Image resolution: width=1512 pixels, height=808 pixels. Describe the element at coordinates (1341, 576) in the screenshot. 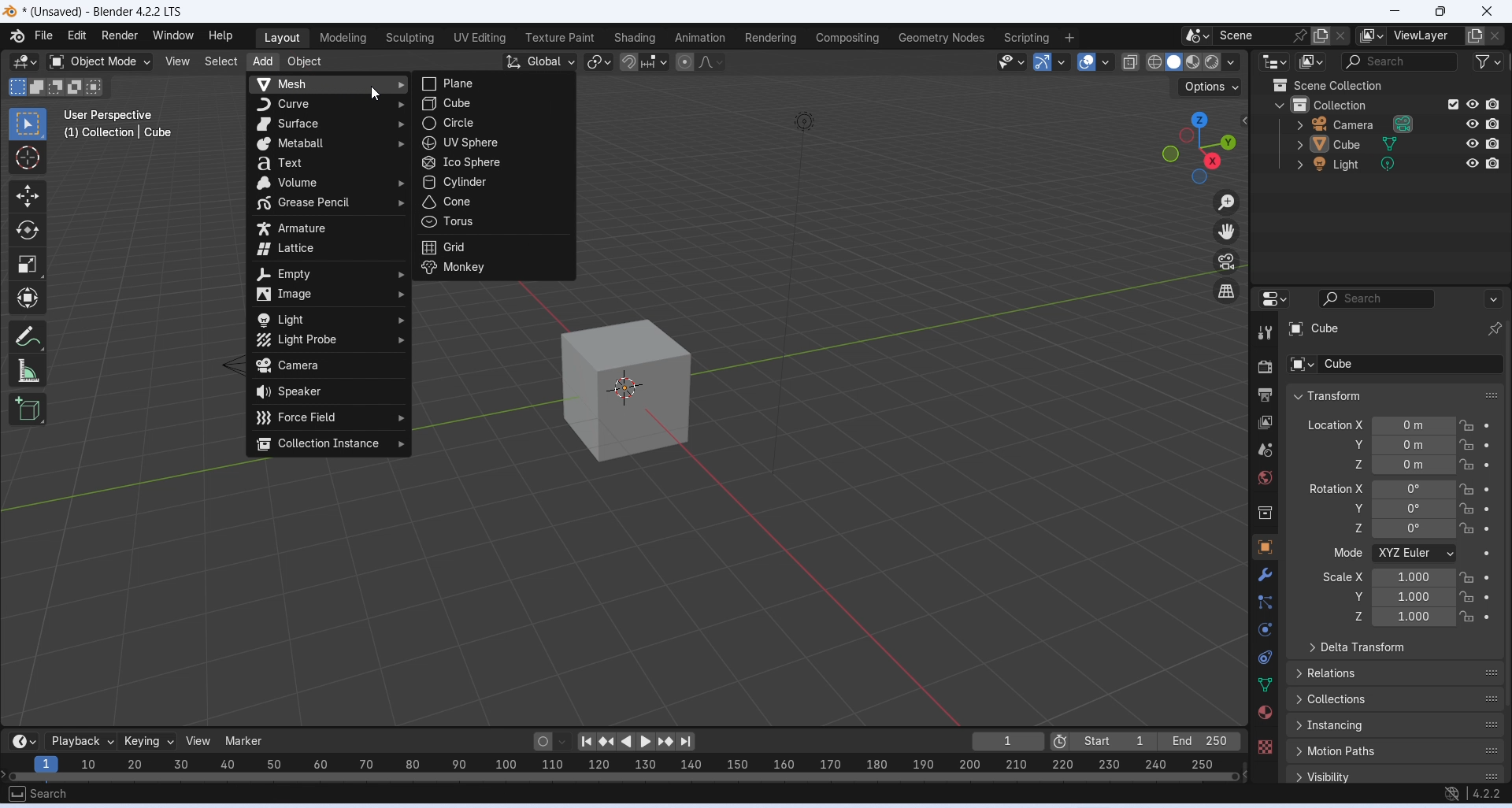

I see `scale x` at that location.